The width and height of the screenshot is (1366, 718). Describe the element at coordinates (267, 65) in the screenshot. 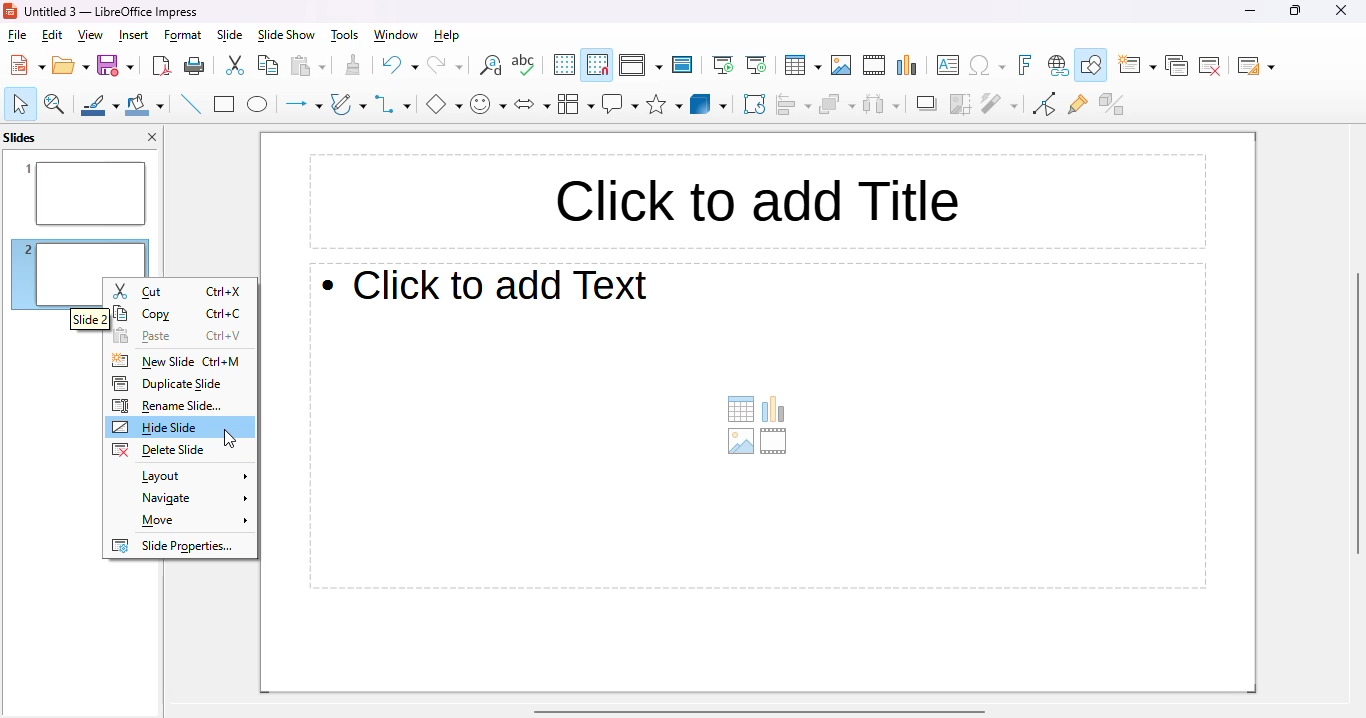

I see `copy` at that location.